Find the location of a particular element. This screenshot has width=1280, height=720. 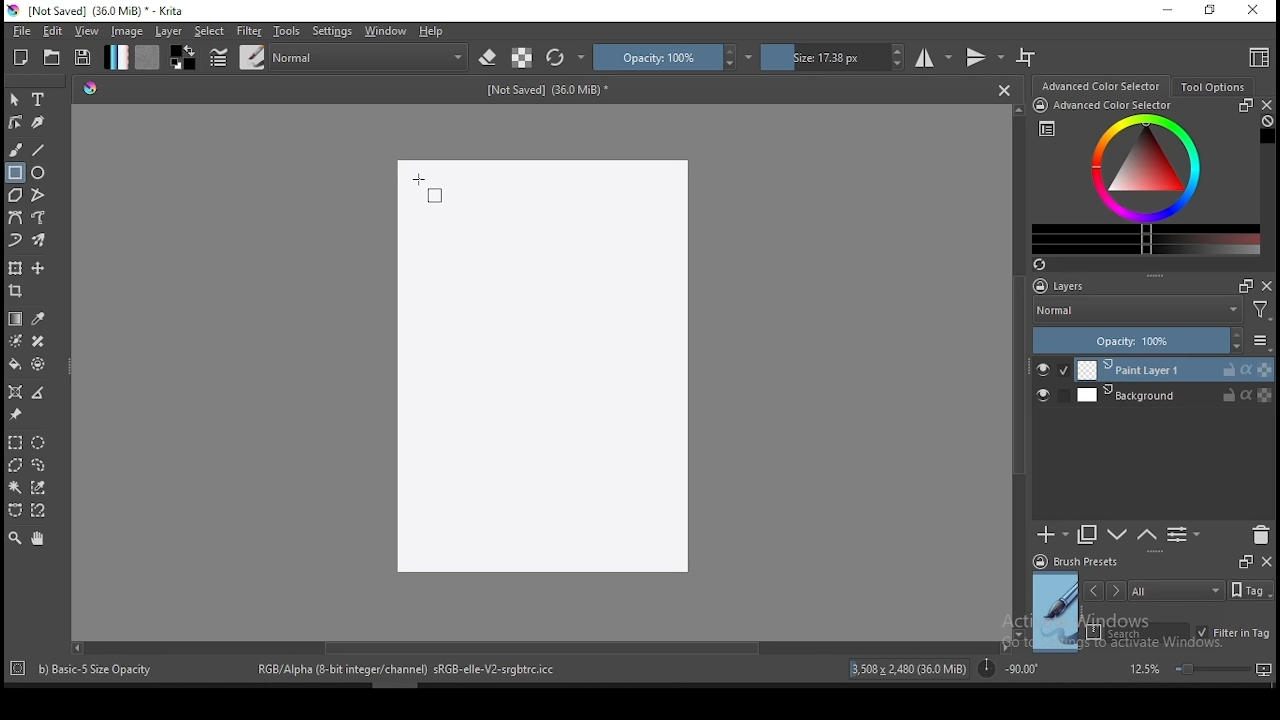

image is located at coordinates (126, 31).